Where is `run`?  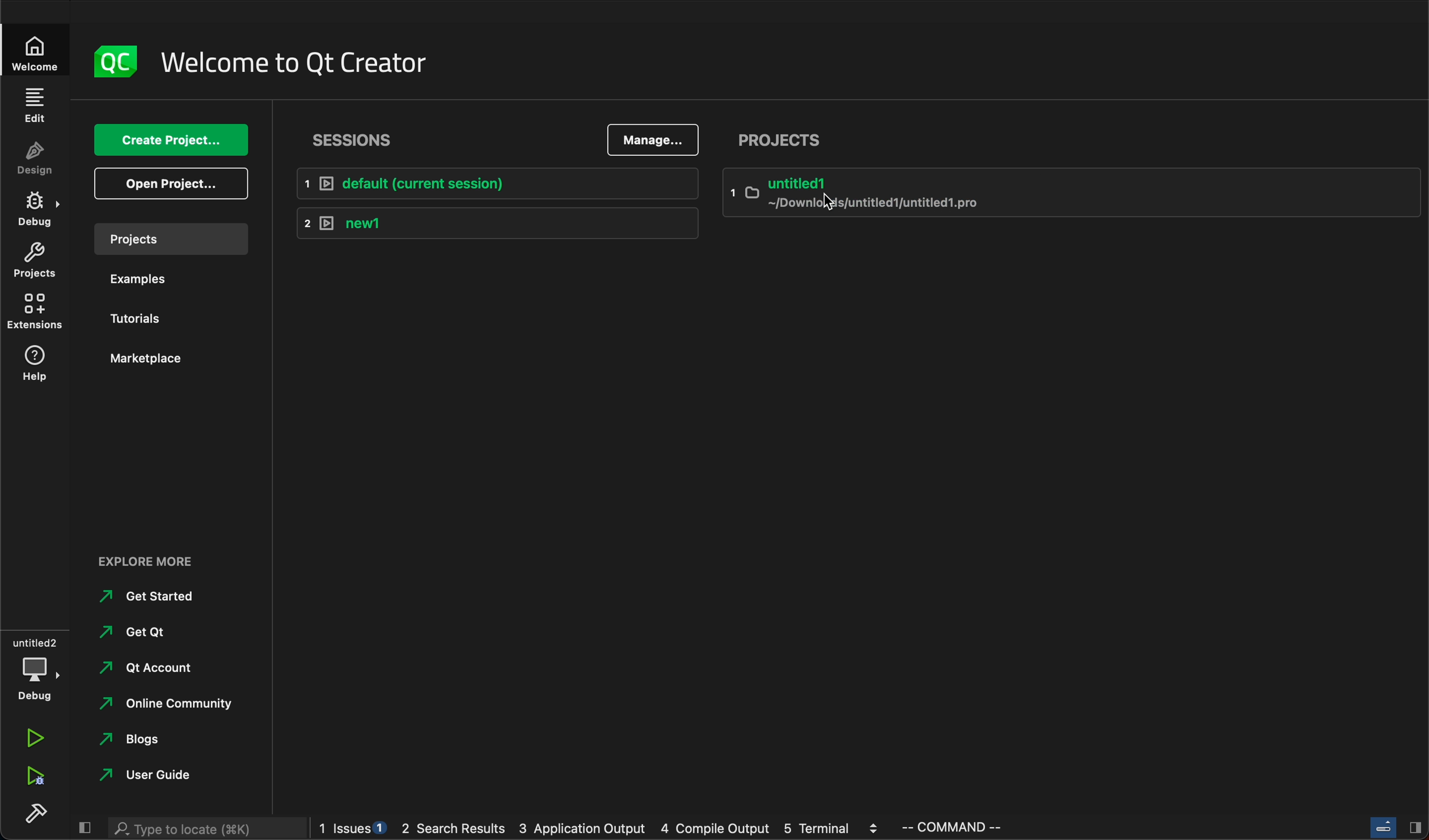
run is located at coordinates (41, 739).